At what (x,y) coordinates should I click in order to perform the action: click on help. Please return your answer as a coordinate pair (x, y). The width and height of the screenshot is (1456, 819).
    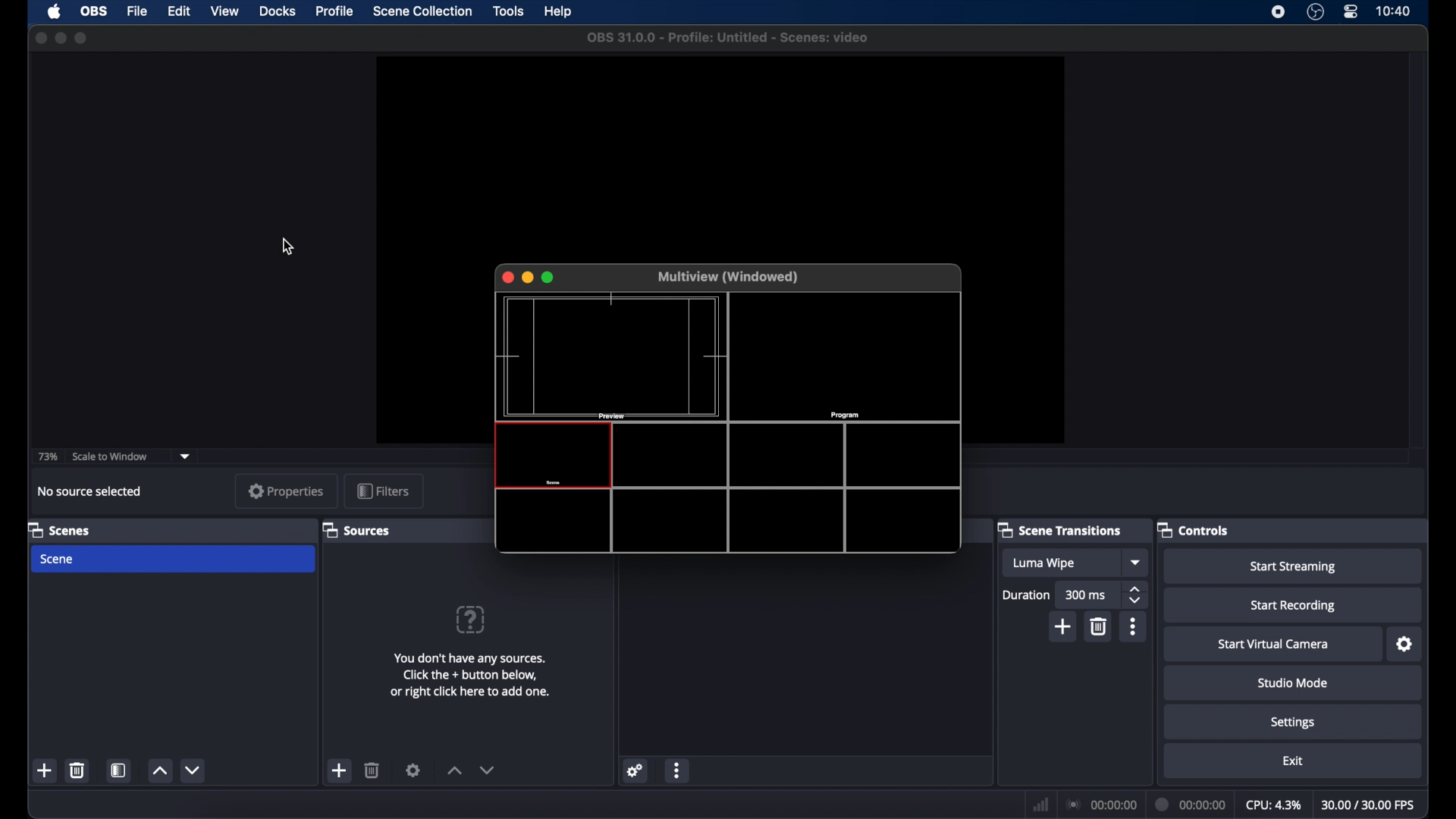
    Looking at the image, I should click on (560, 12).